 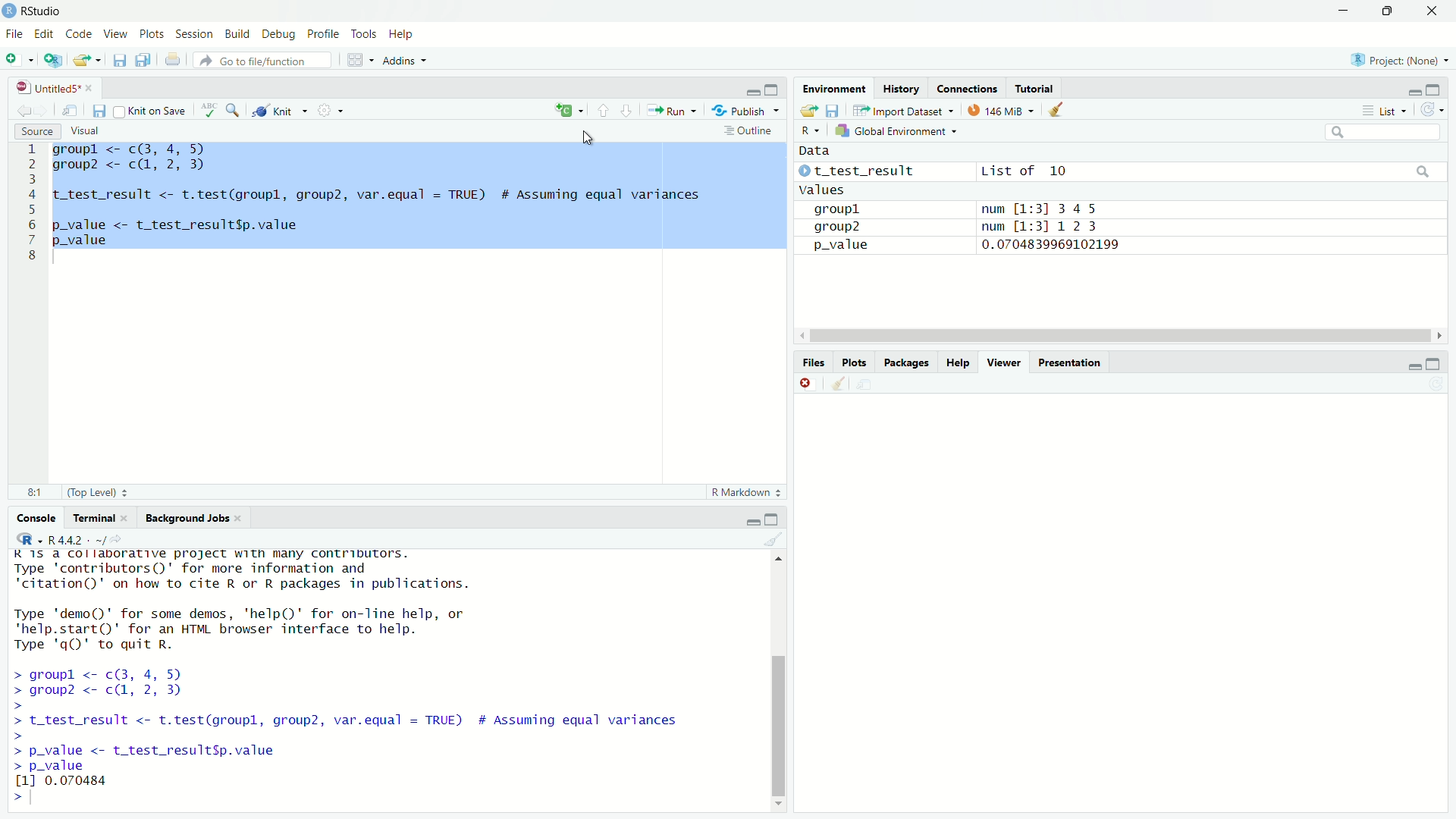 I want to click on 8:1, so click(x=30, y=492).